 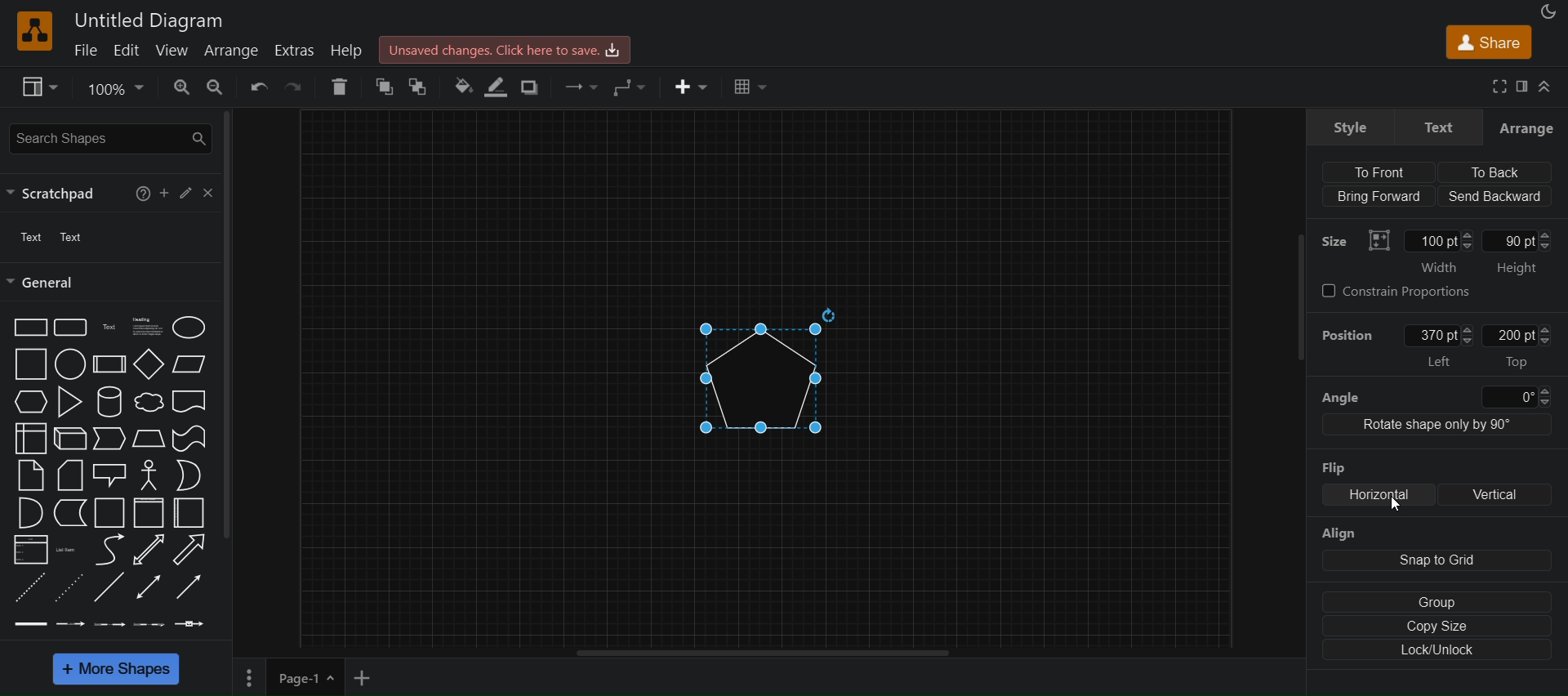 I want to click on Increase/Decrease height, so click(x=1545, y=240).